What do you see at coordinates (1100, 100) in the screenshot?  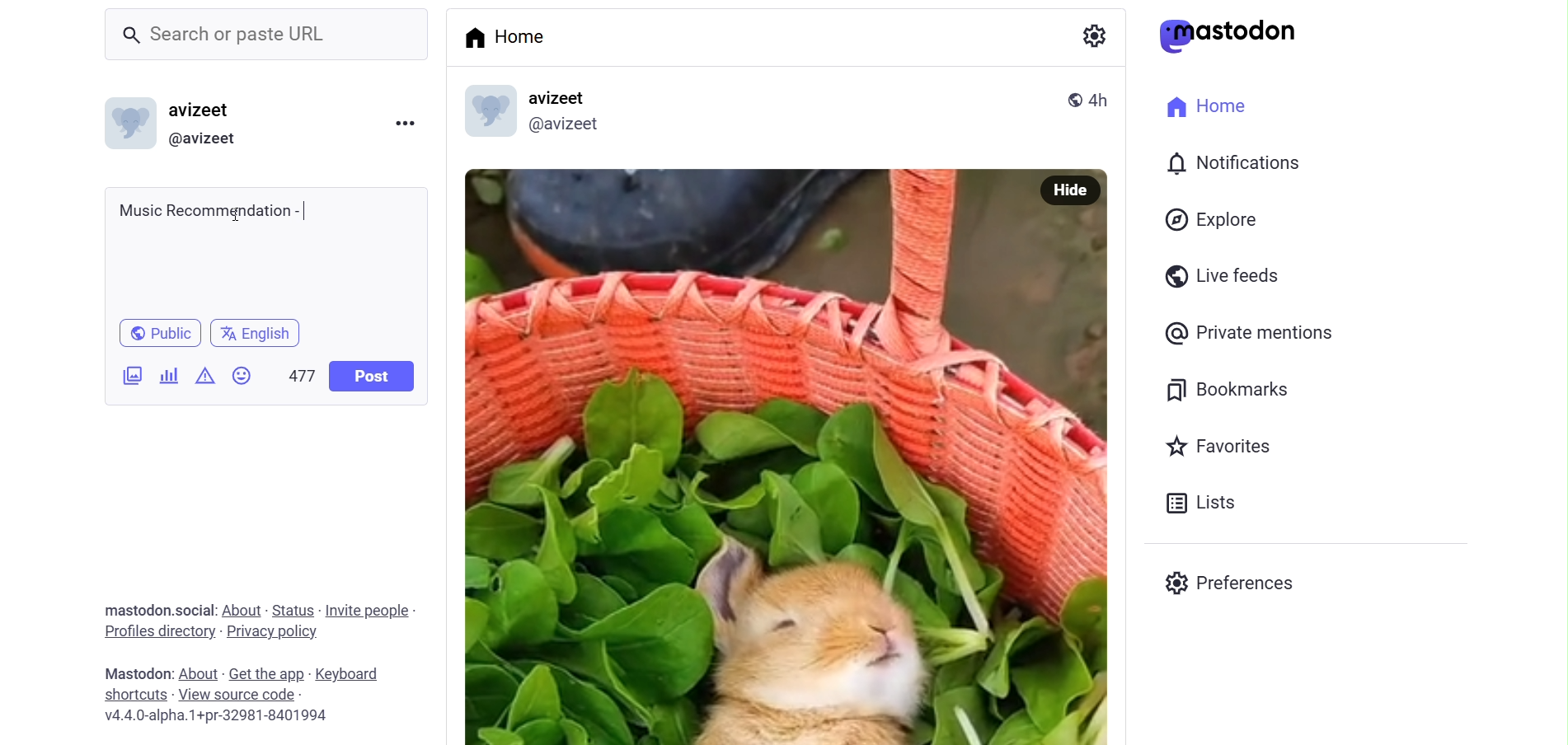 I see `4h` at bounding box center [1100, 100].